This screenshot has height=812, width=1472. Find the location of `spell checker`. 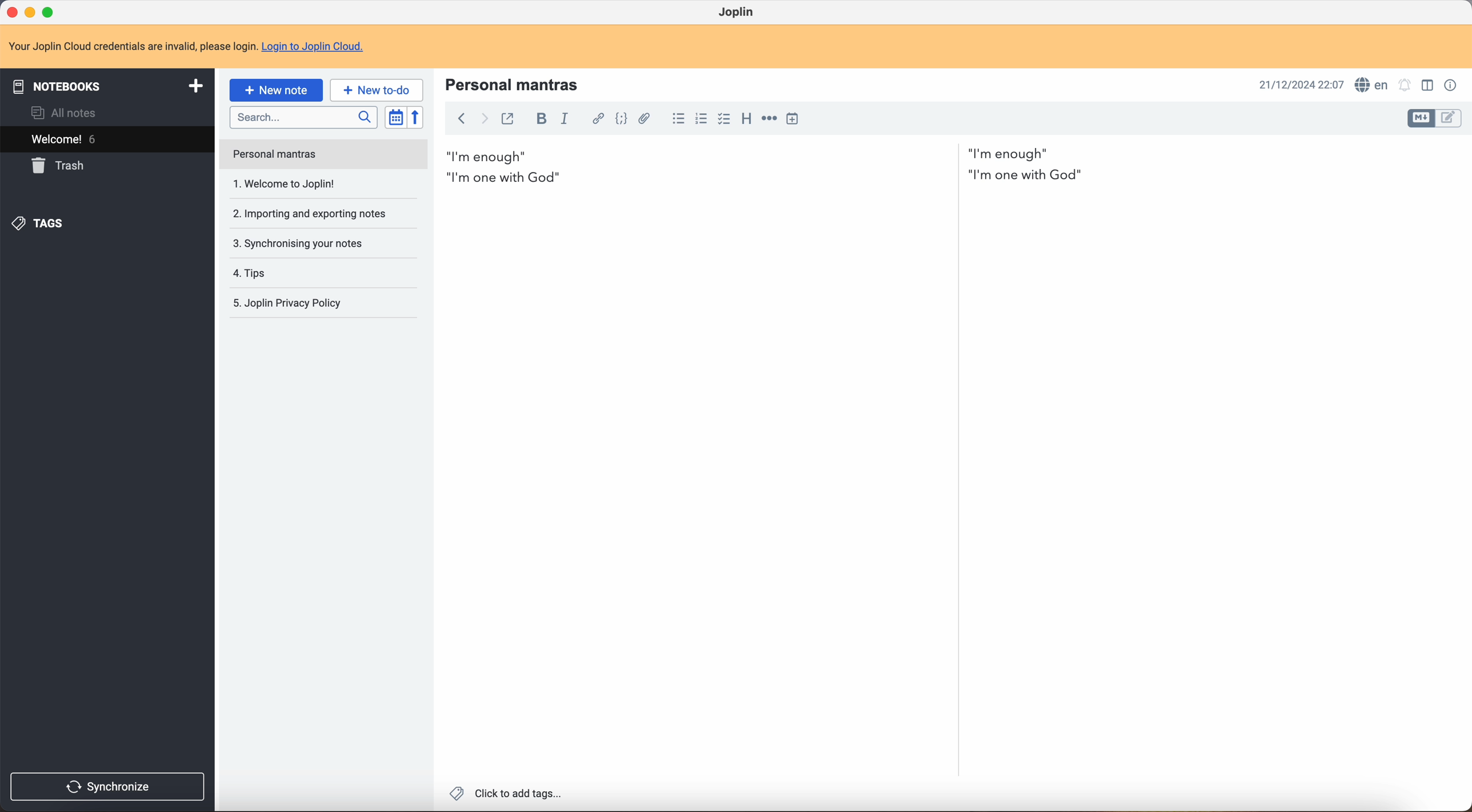

spell checker is located at coordinates (1373, 84).